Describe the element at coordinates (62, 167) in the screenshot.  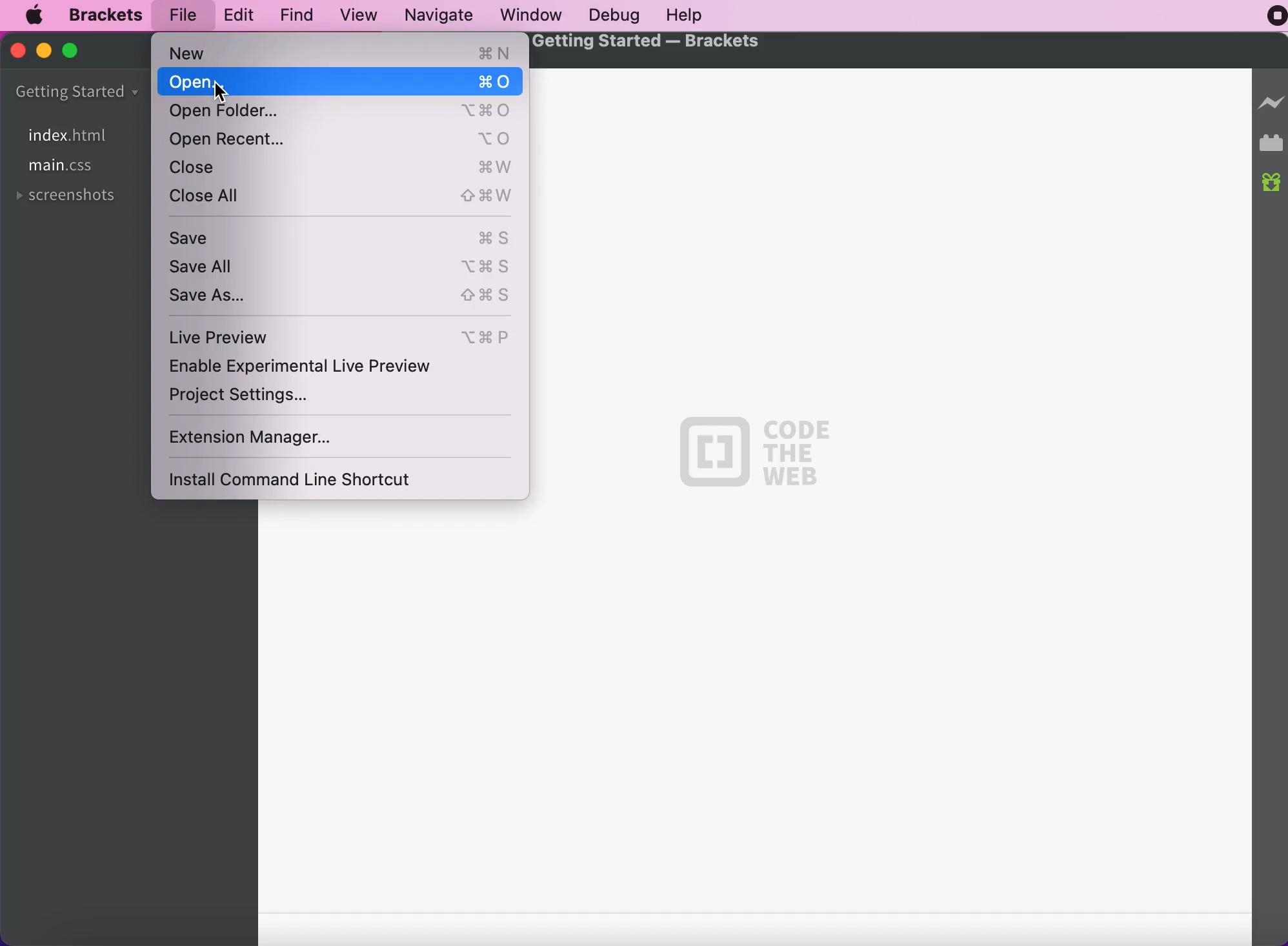
I see `main.css` at that location.